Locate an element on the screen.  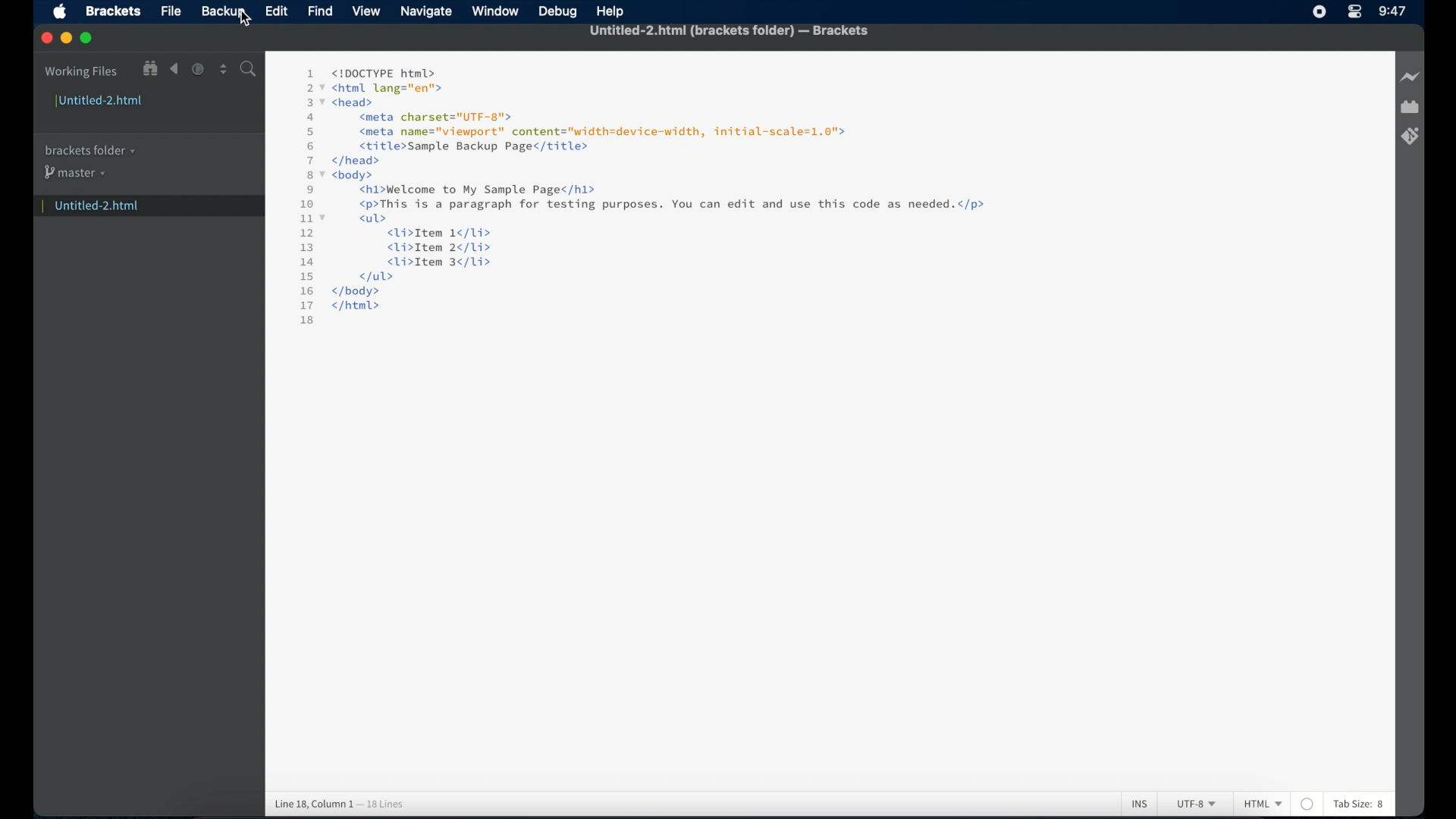
extension manager is located at coordinates (1410, 107).